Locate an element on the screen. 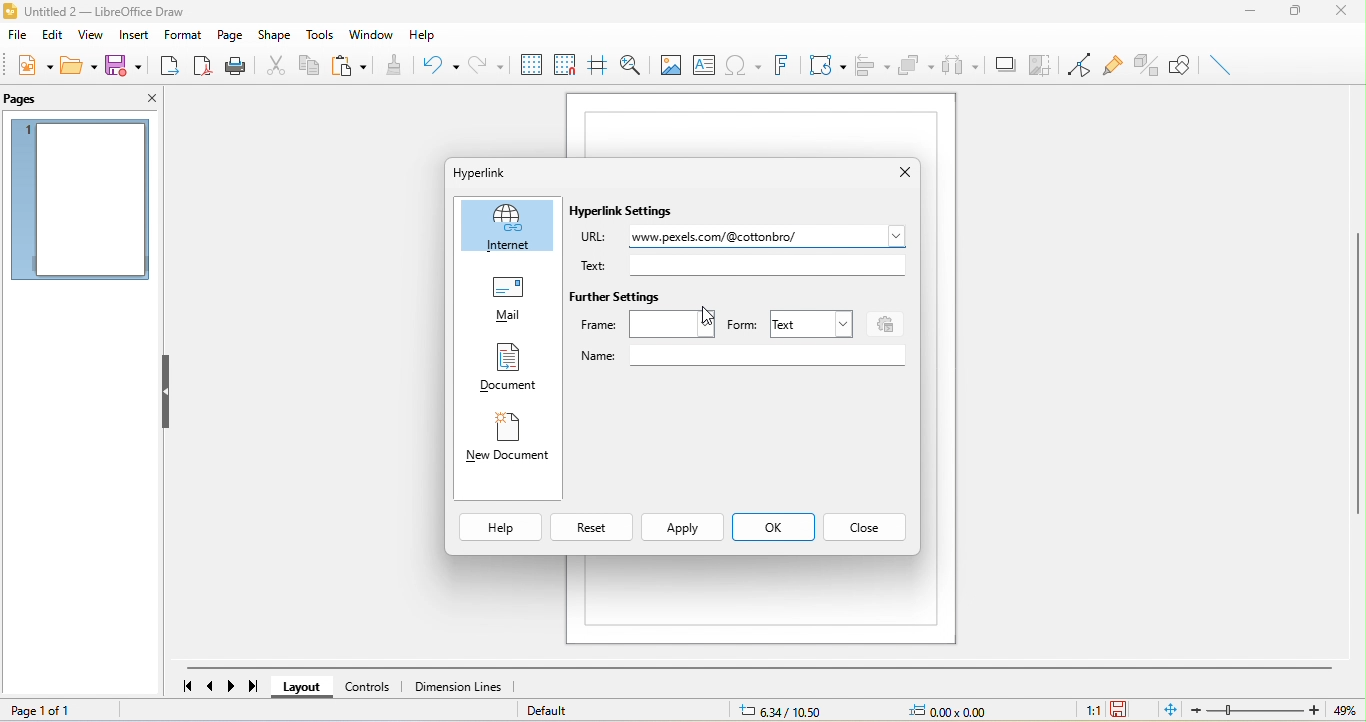 The width and height of the screenshot is (1366, 722). 49% is located at coordinates (1345, 709).